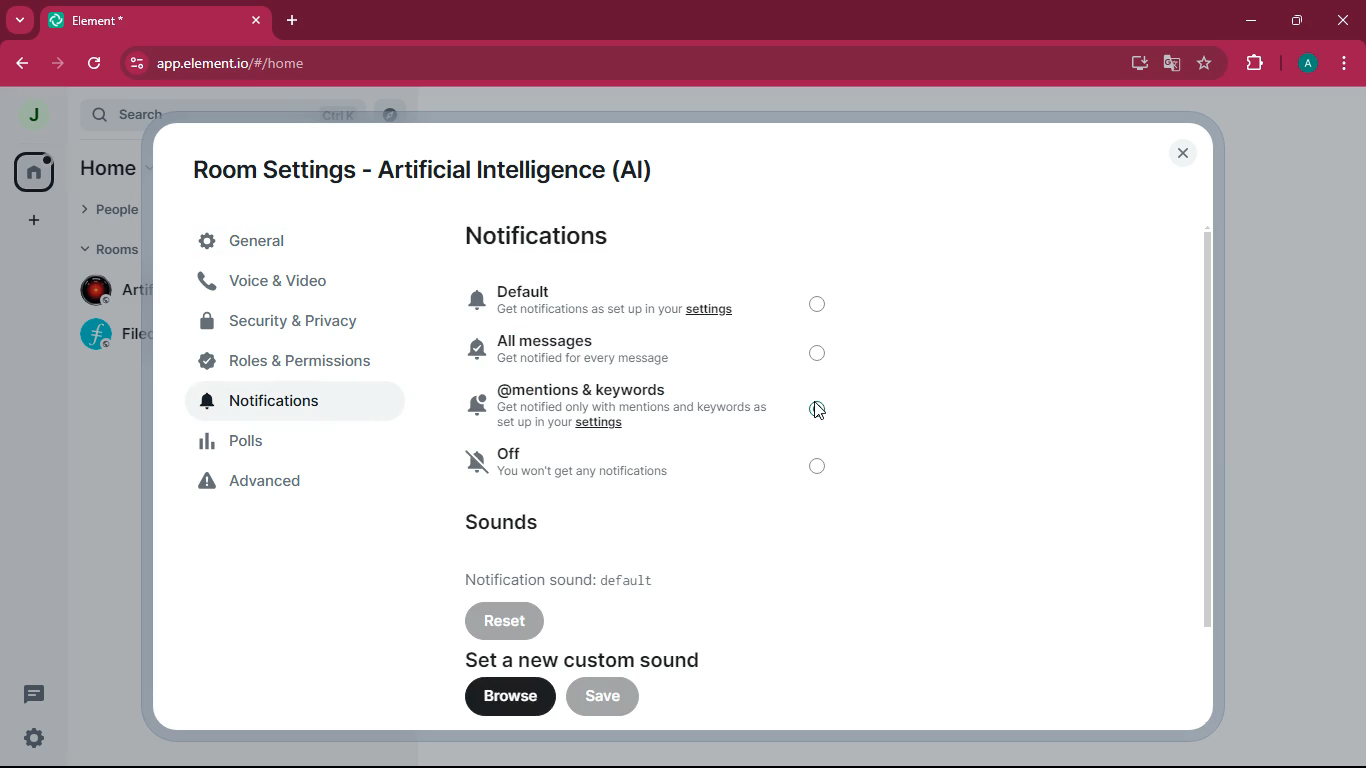  Describe the element at coordinates (821, 305) in the screenshot. I see `off` at that location.